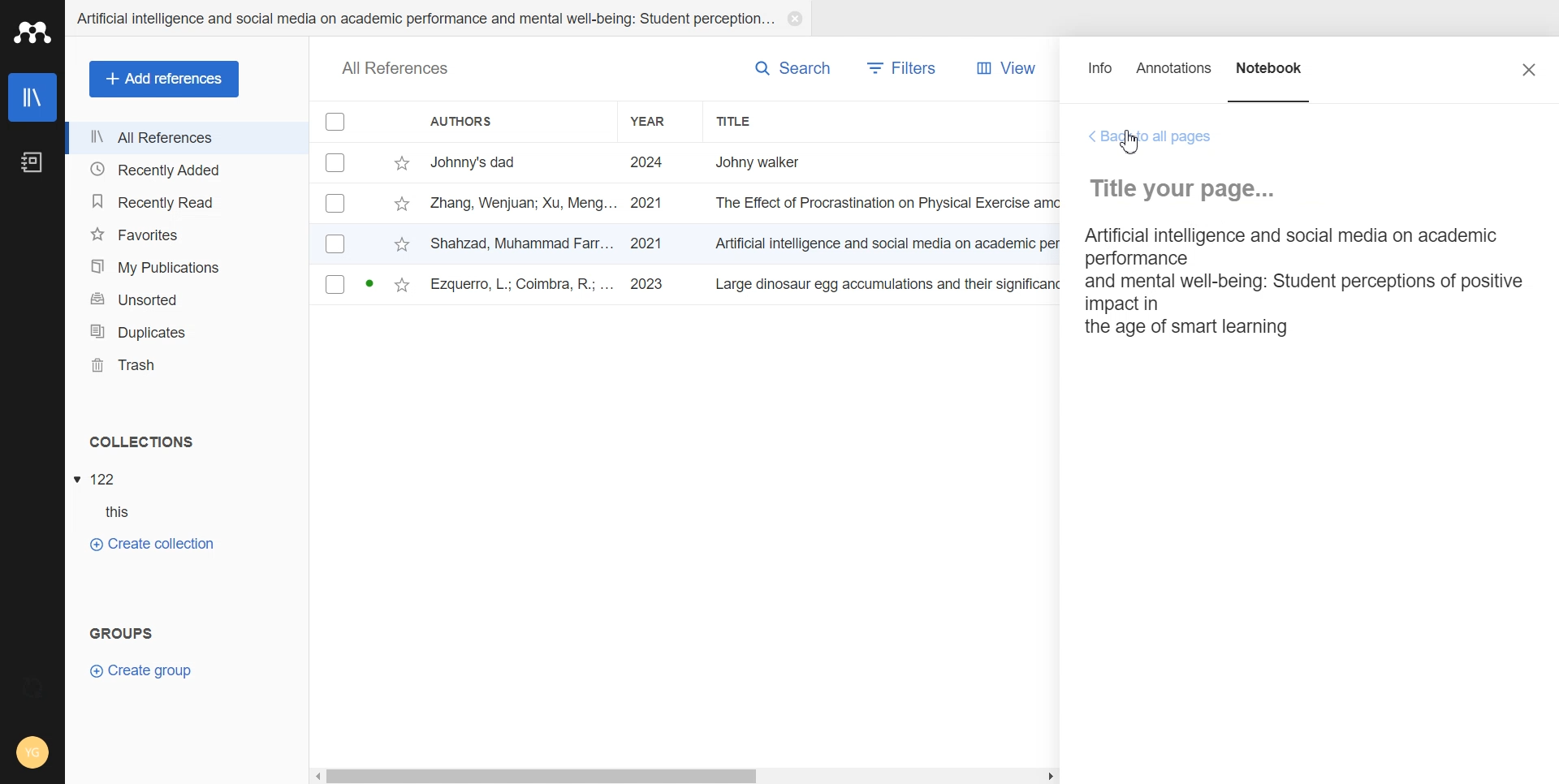  I want to click on View, so click(1001, 68).